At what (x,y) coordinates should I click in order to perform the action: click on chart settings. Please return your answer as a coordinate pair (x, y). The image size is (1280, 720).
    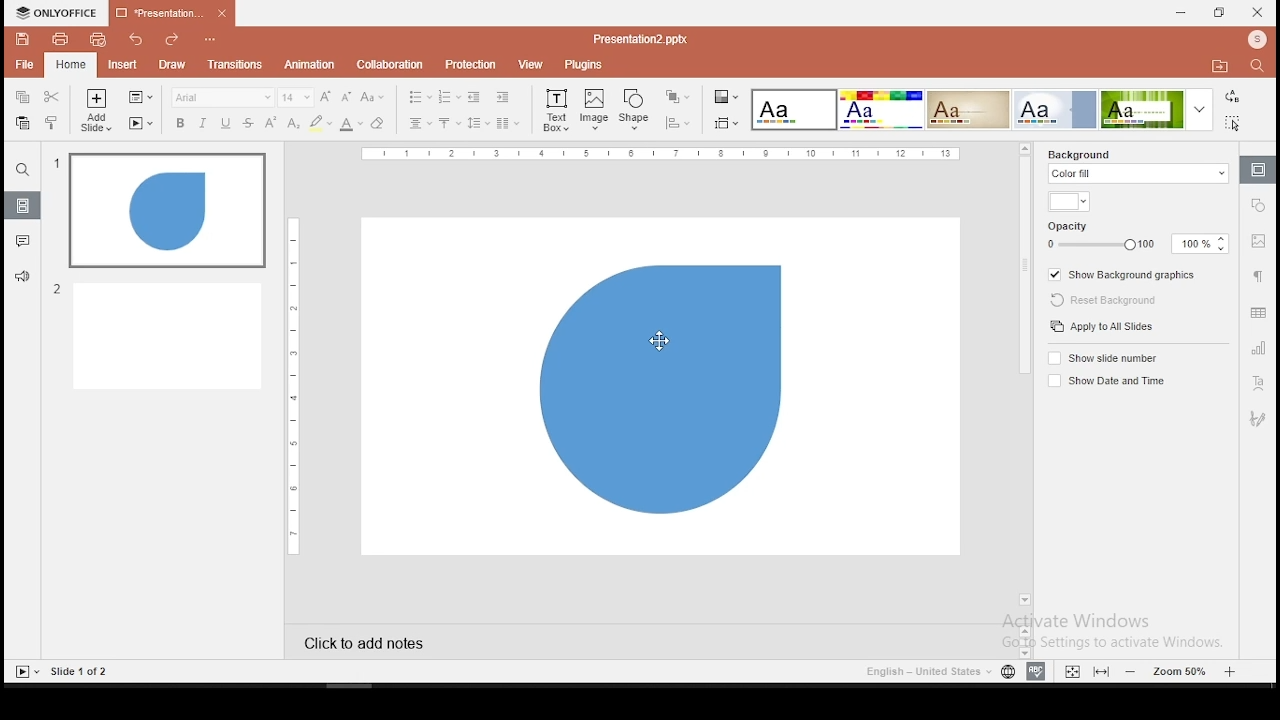
    Looking at the image, I should click on (1257, 349).